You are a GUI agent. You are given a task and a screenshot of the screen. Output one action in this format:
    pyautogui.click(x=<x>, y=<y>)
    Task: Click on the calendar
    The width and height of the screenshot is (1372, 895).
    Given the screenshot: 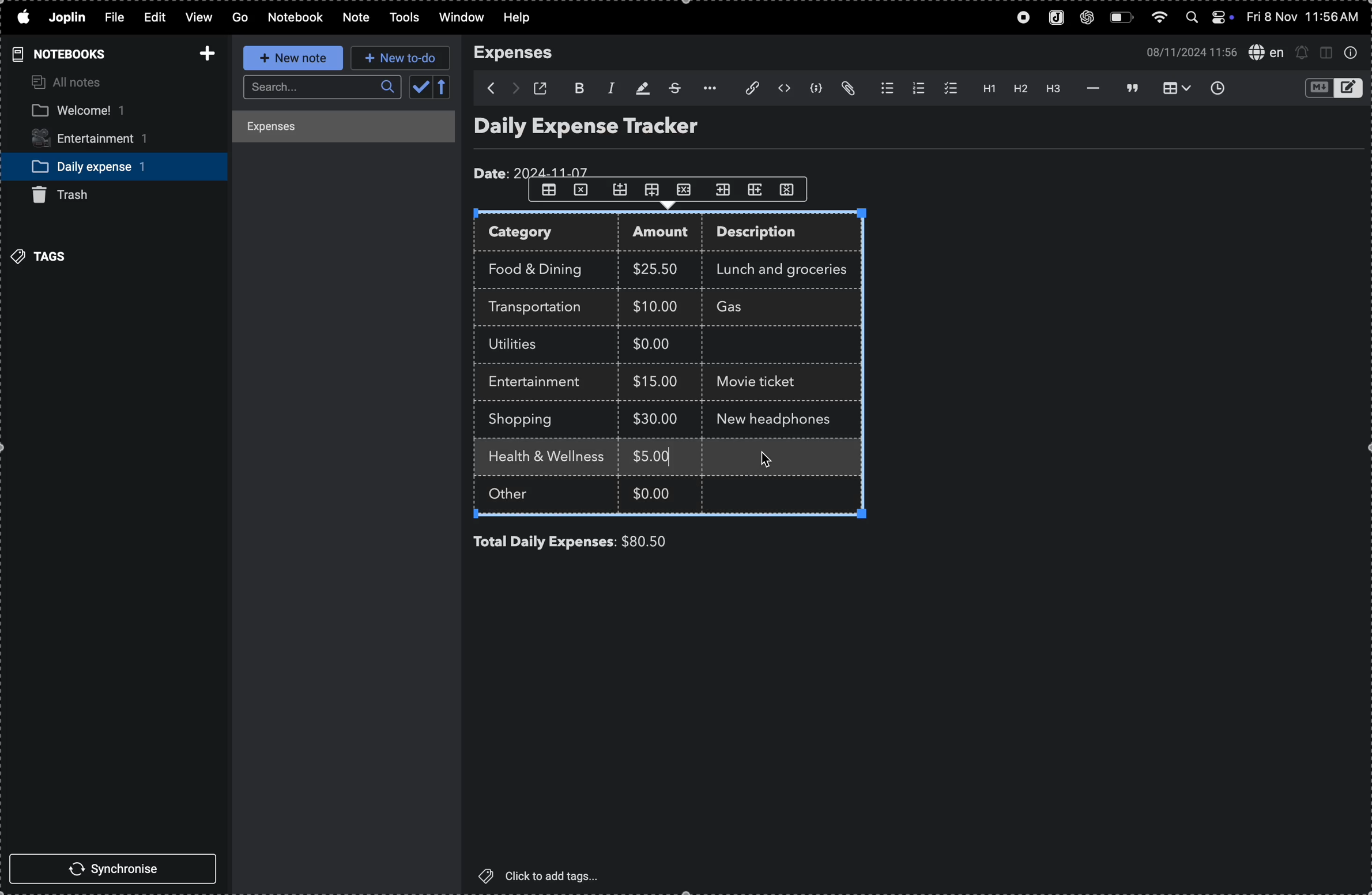 What is the action you would take?
    pyautogui.click(x=431, y=88)
    